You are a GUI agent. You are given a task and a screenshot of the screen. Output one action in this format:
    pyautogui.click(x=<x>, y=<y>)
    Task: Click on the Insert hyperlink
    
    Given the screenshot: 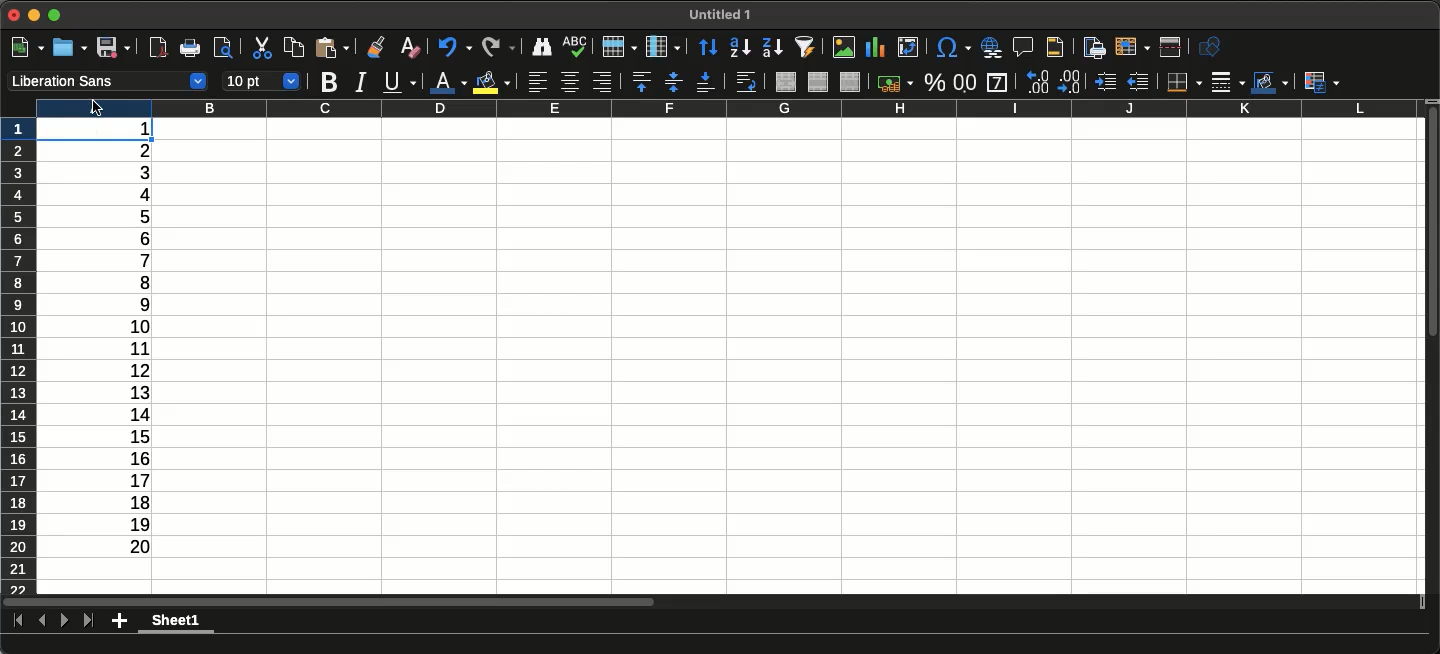 What is the action you would take?
    pyautogui.click(x=991, y=47)
    